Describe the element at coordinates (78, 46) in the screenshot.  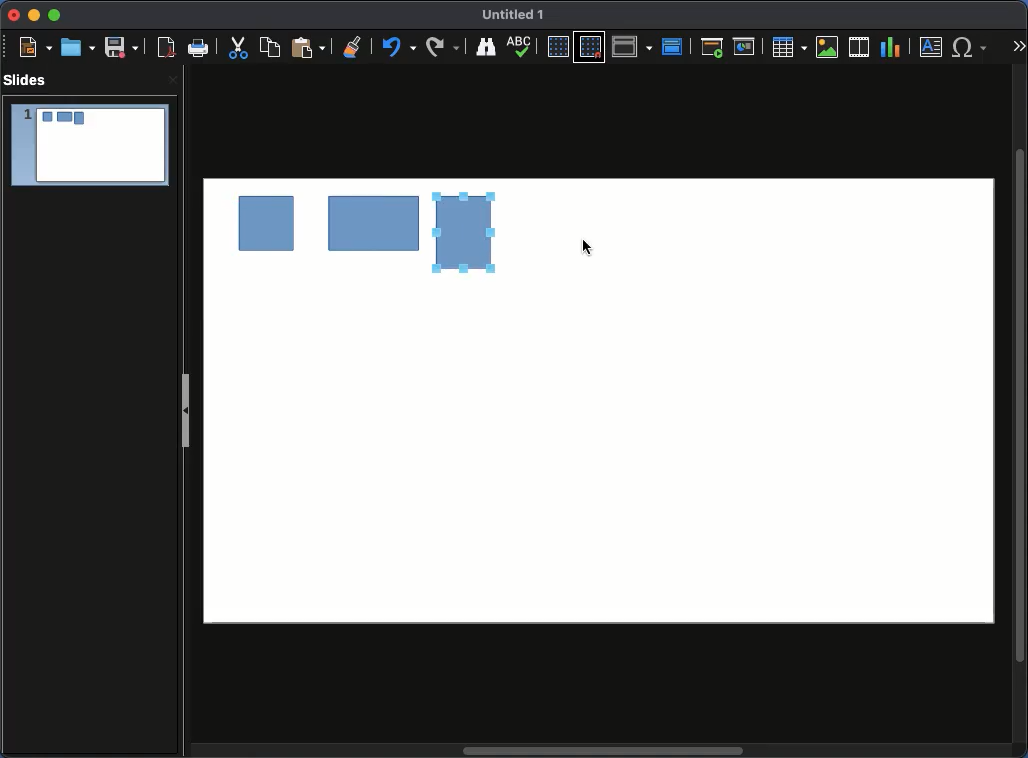
I see `Open` at that location.